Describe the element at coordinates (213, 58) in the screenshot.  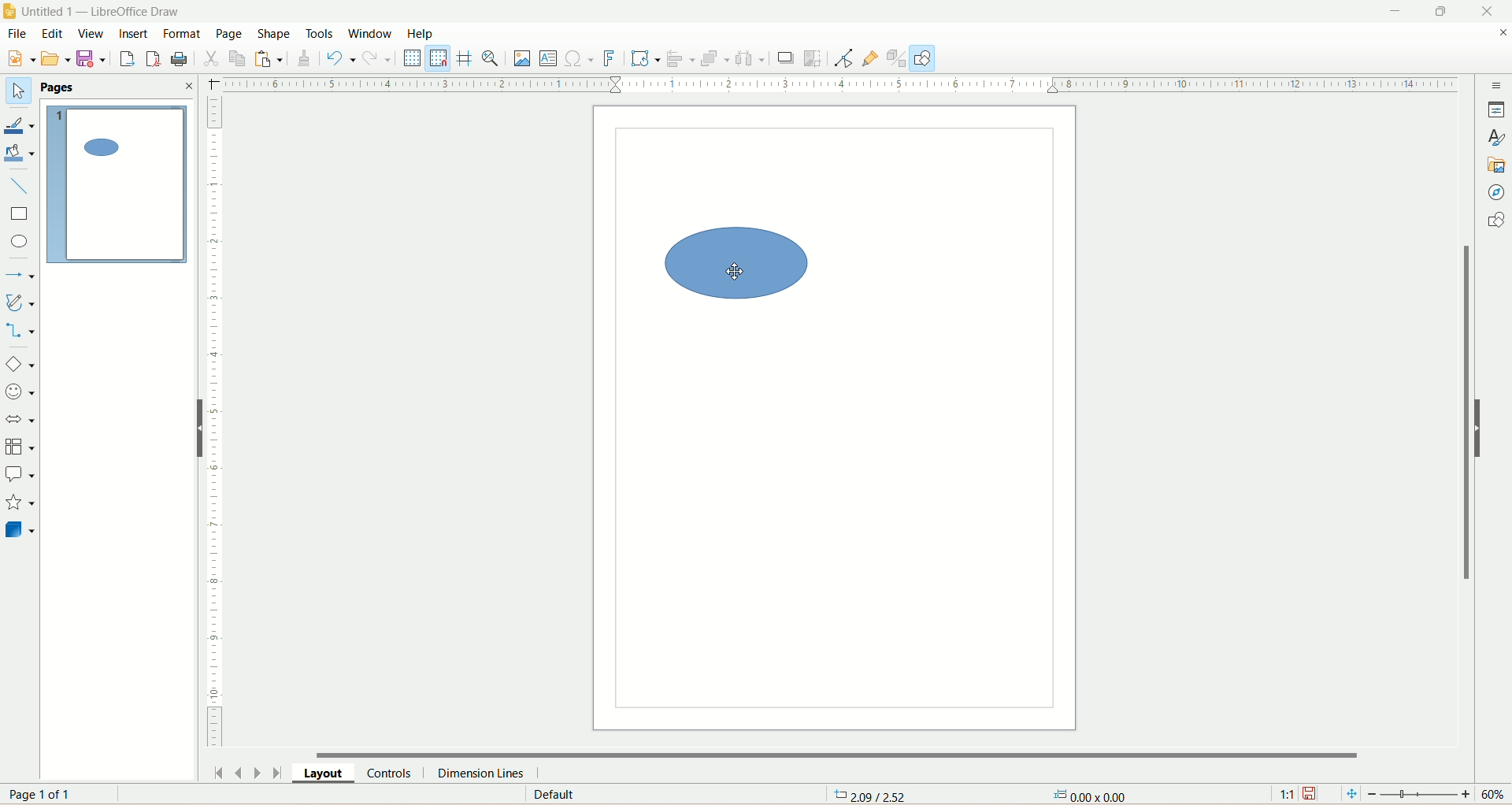
I see `cut` at that location.